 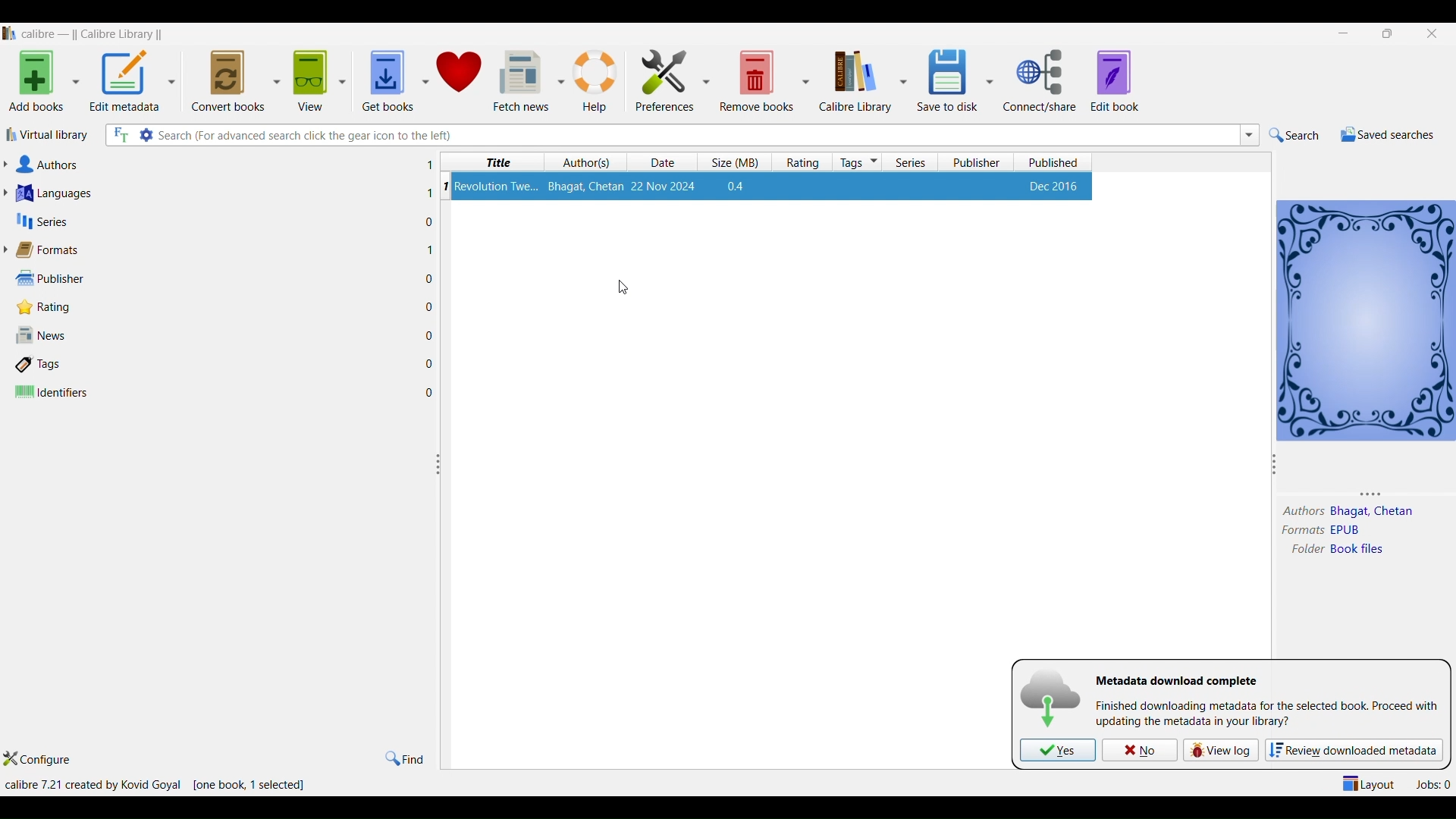 What do you see at coordinates (248, 784) in the screenshot?
I see `one book selected` at bounding box center [248, 784].